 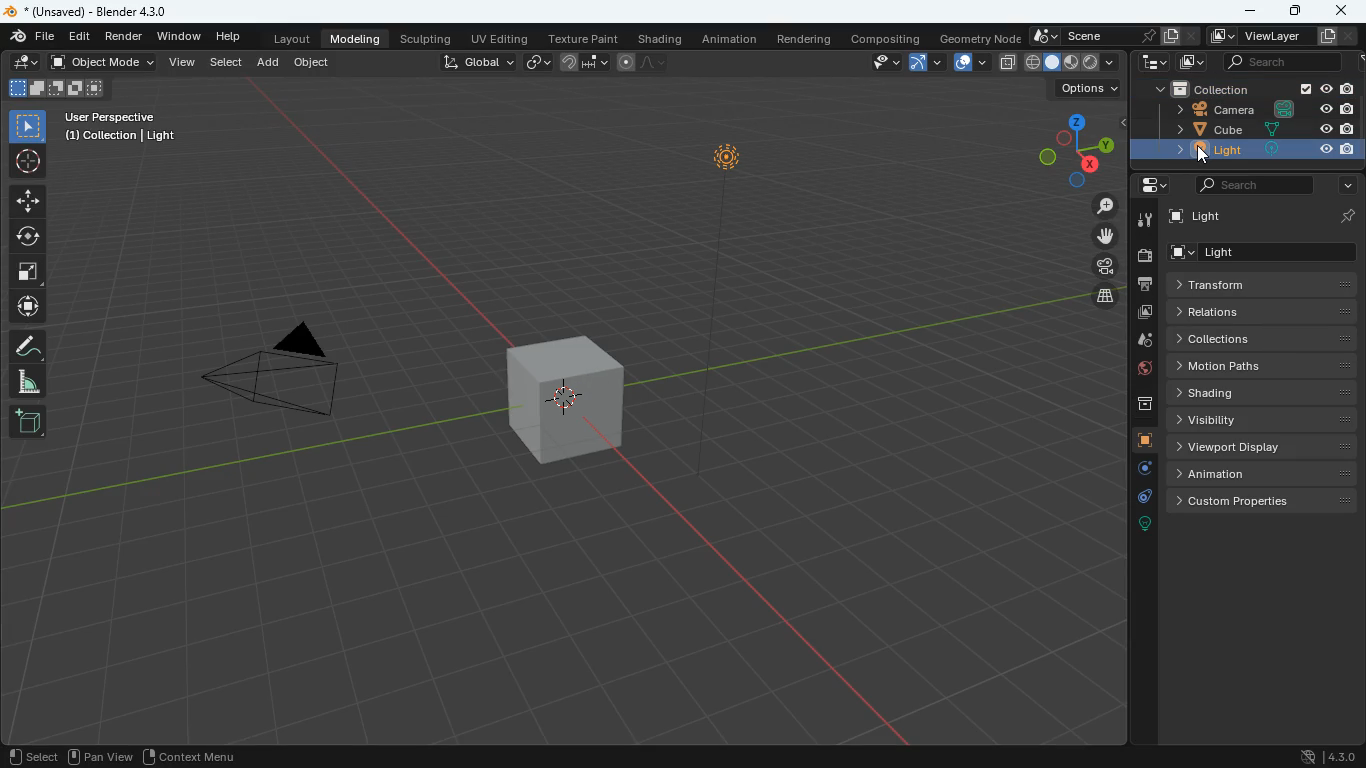 What do you see at coordinates (26, 238) in the screenshot?
I see `rotate` at bounding box center [26, 238].